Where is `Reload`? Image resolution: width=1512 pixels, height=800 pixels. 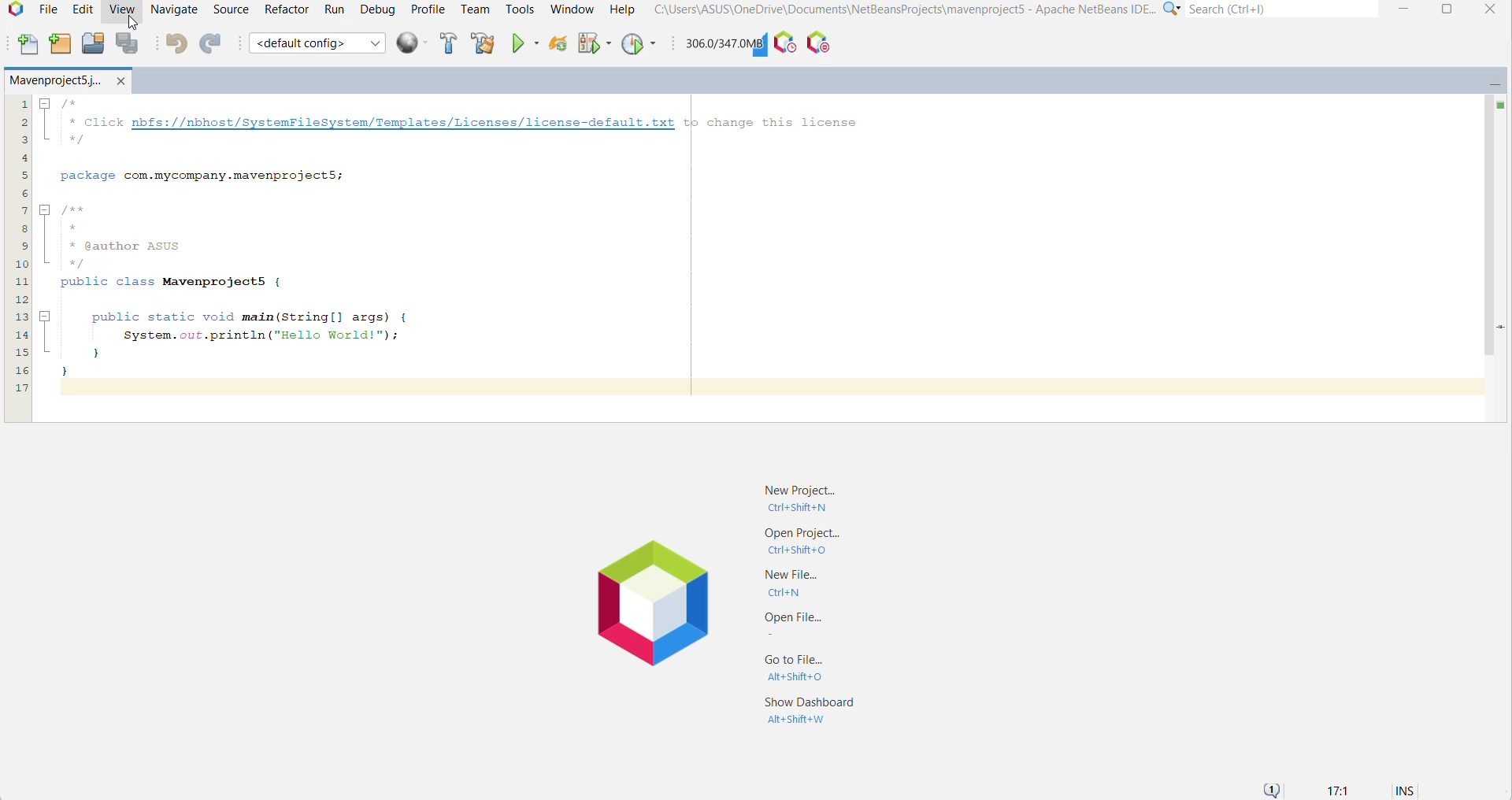
Reload is located at coordinates (558, 44).